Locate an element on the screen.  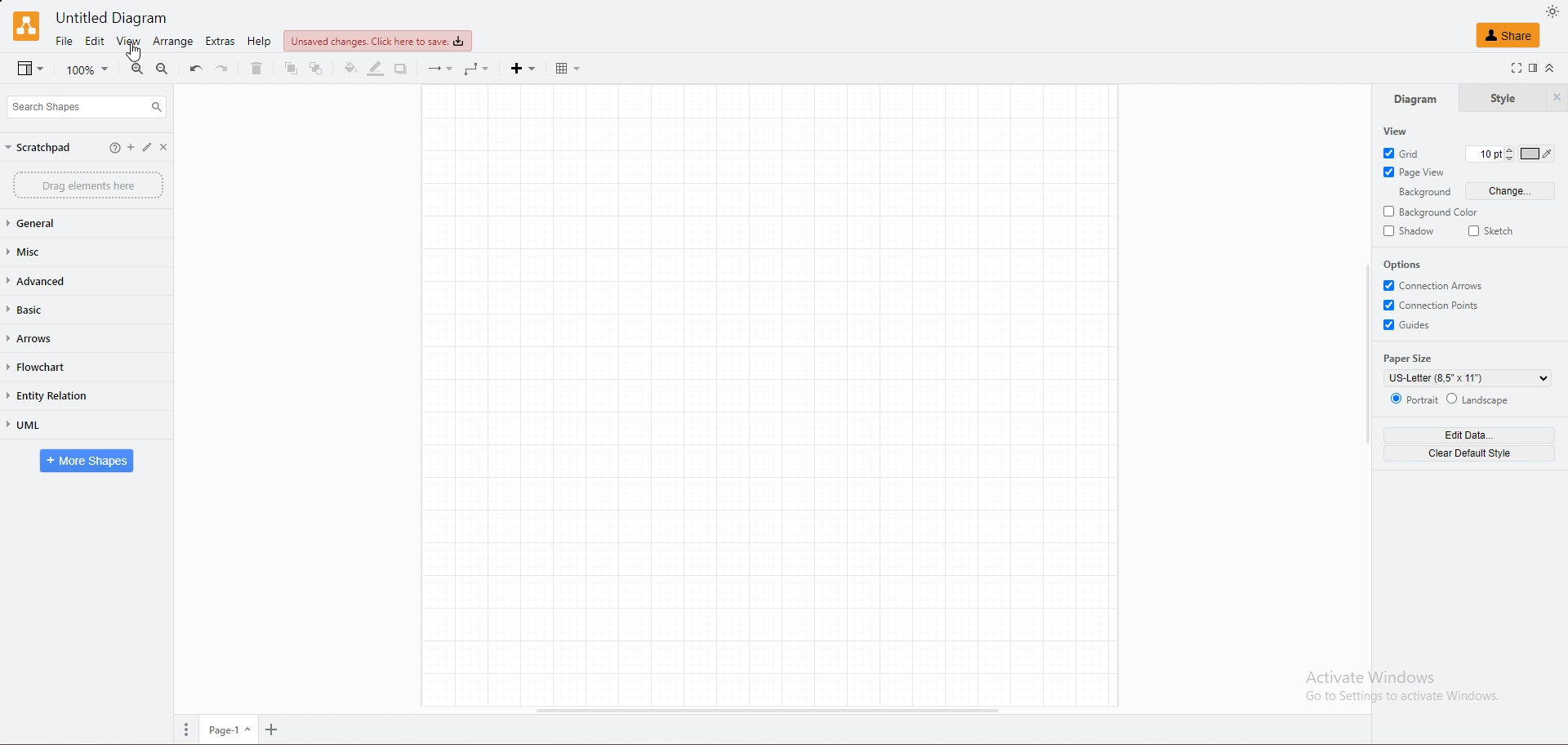
view is located at coordinates (1394, 132).